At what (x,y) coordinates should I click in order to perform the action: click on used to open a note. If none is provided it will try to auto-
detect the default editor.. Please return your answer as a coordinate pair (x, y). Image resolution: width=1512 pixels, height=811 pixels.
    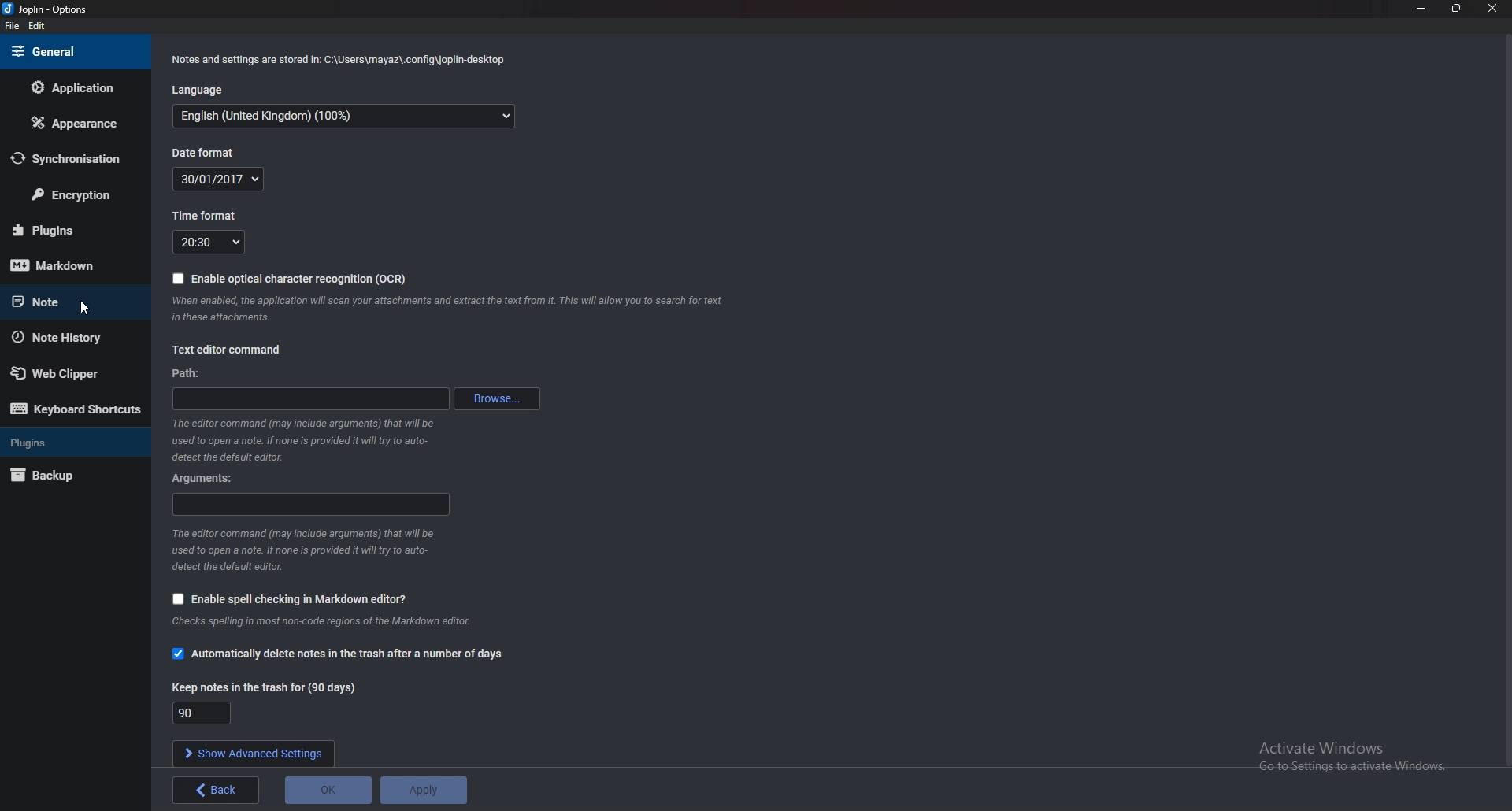
    Looking at the image, I should click on (298, 439).